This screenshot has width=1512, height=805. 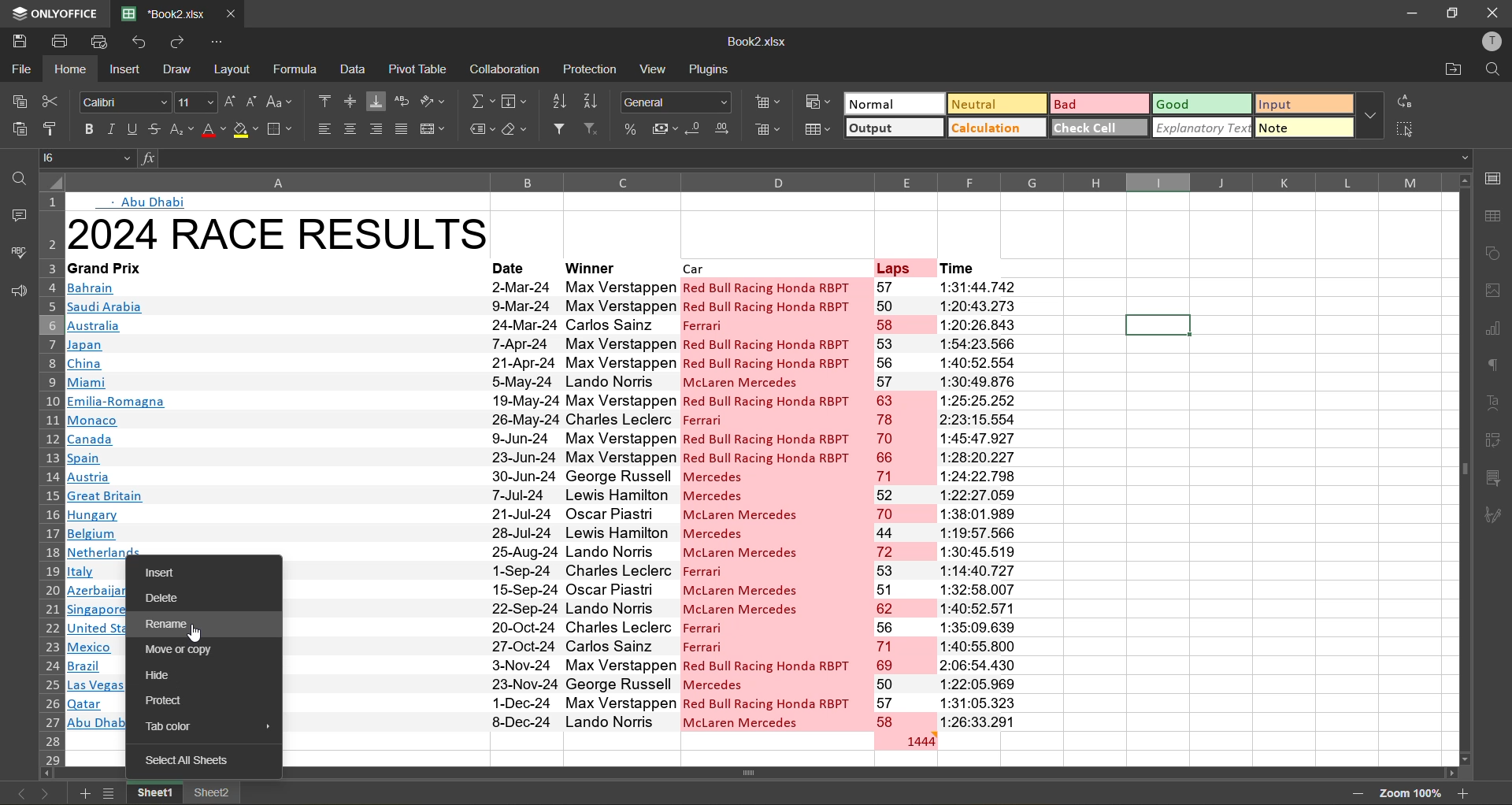 I want to click on select all, so click(x=1404, y=128).